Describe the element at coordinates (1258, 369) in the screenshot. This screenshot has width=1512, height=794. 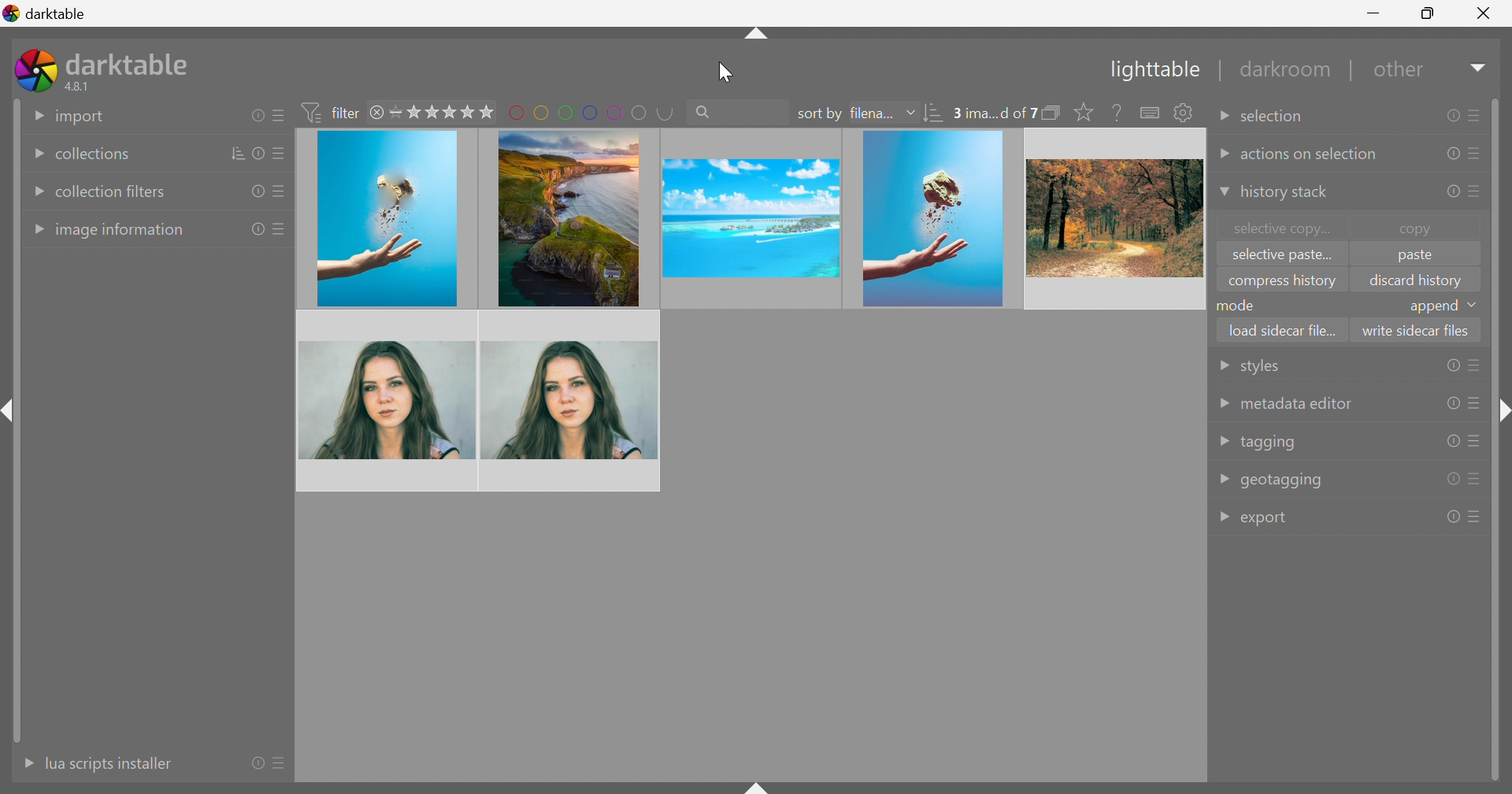
I see `styles` at that location.